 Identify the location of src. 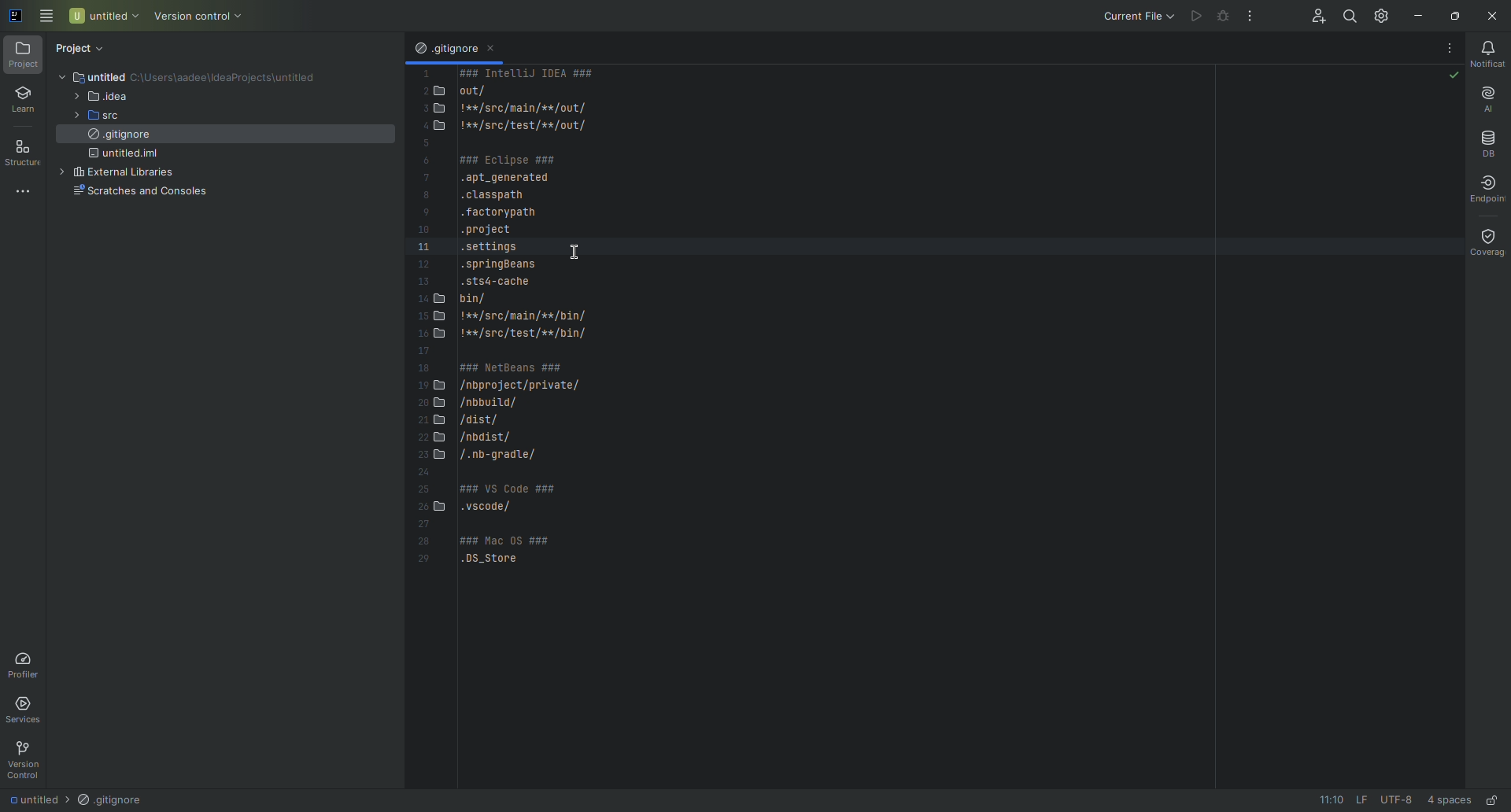
(108, 117).